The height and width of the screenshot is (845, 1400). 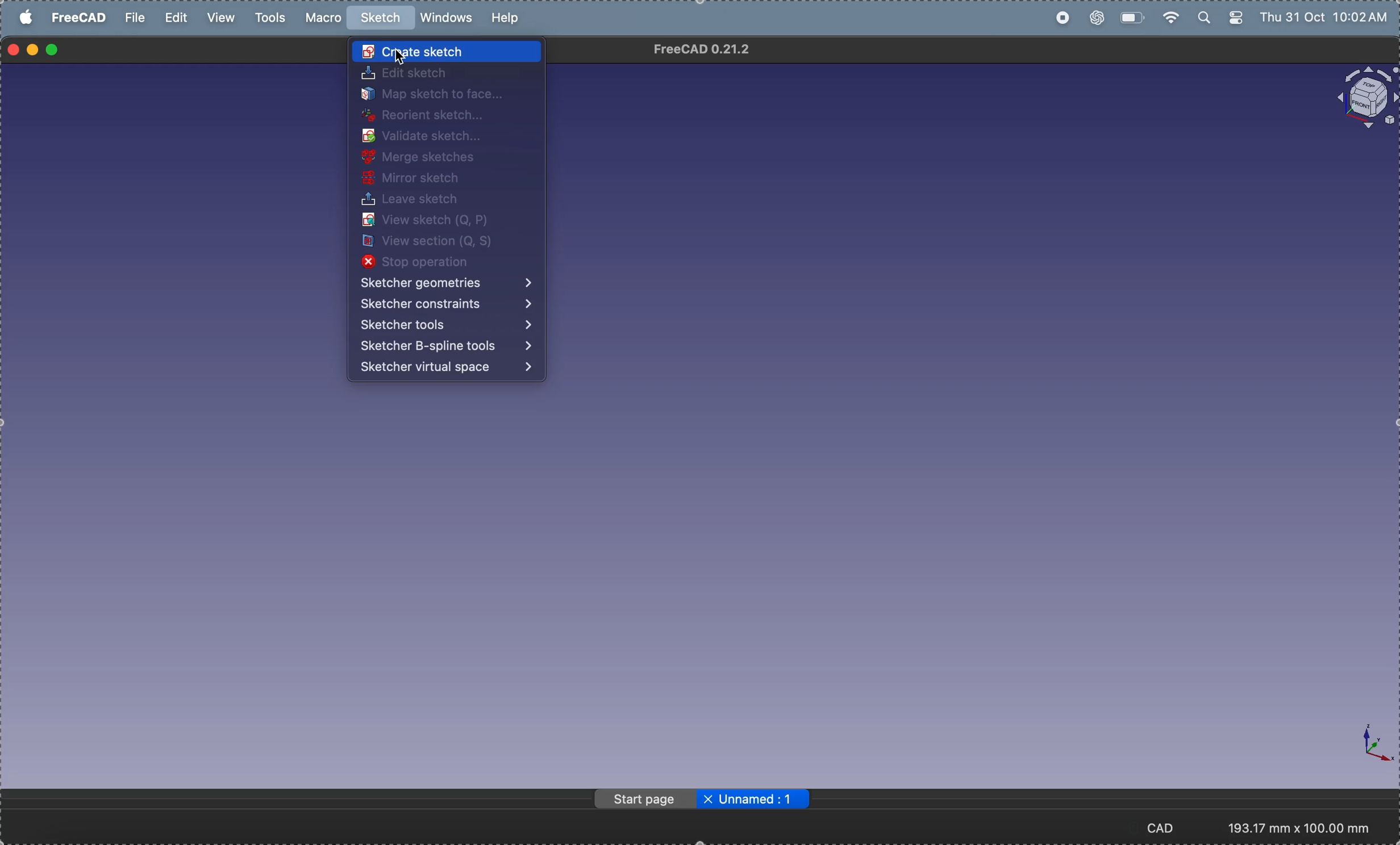 I want to click on sketcher operations, so click(x=446, y=283).